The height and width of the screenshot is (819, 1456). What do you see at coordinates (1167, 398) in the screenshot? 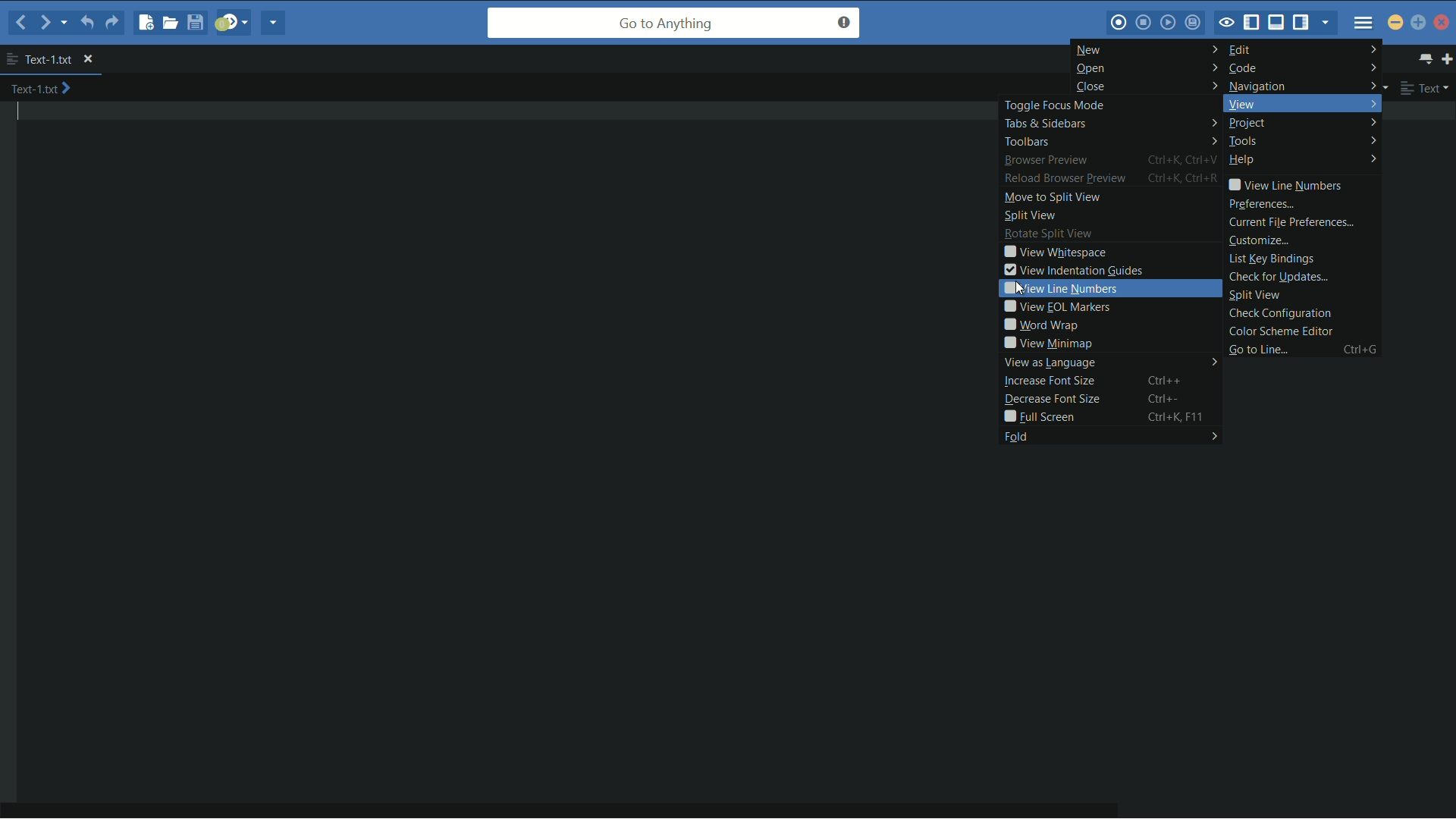
I see `Ctrl+-` at bounding box center [1167, 398].